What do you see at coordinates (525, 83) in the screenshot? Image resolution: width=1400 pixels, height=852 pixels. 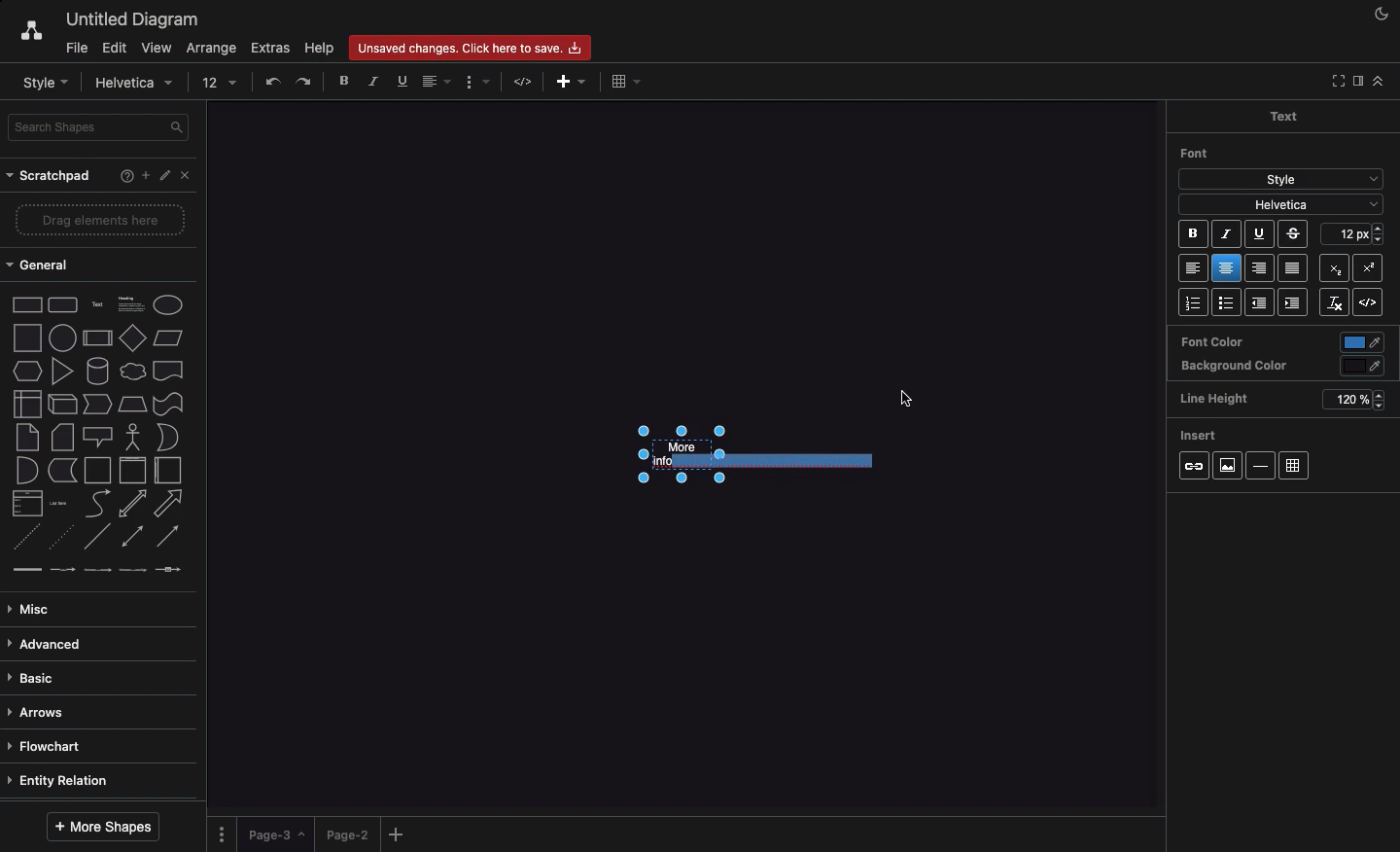 I see `HTML` at bounding box center [525, 83].